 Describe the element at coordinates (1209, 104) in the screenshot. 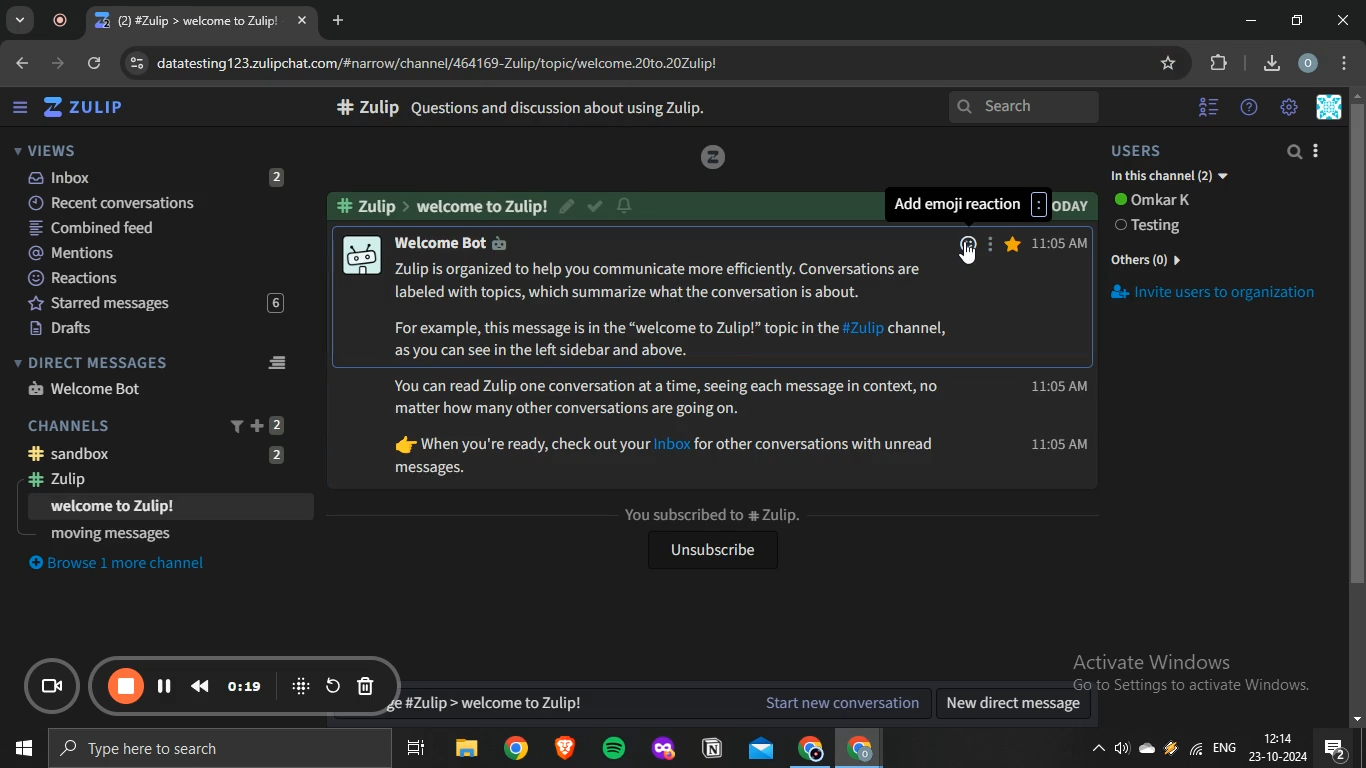

I see `hide user list menu` at that location.